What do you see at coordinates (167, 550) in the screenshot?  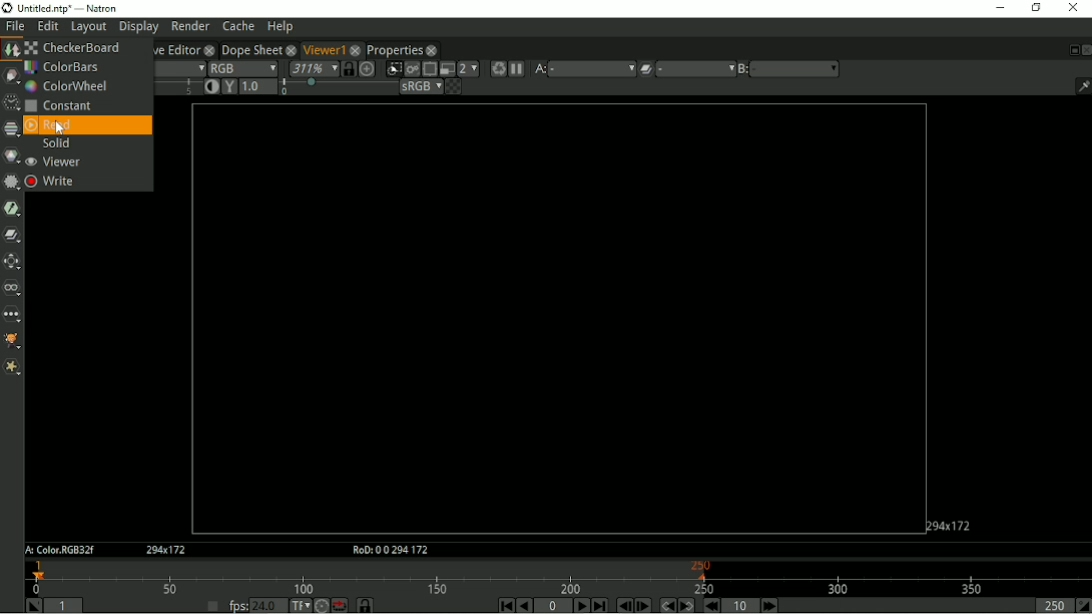 I see `Aspect` at bounding box center [167, 550].